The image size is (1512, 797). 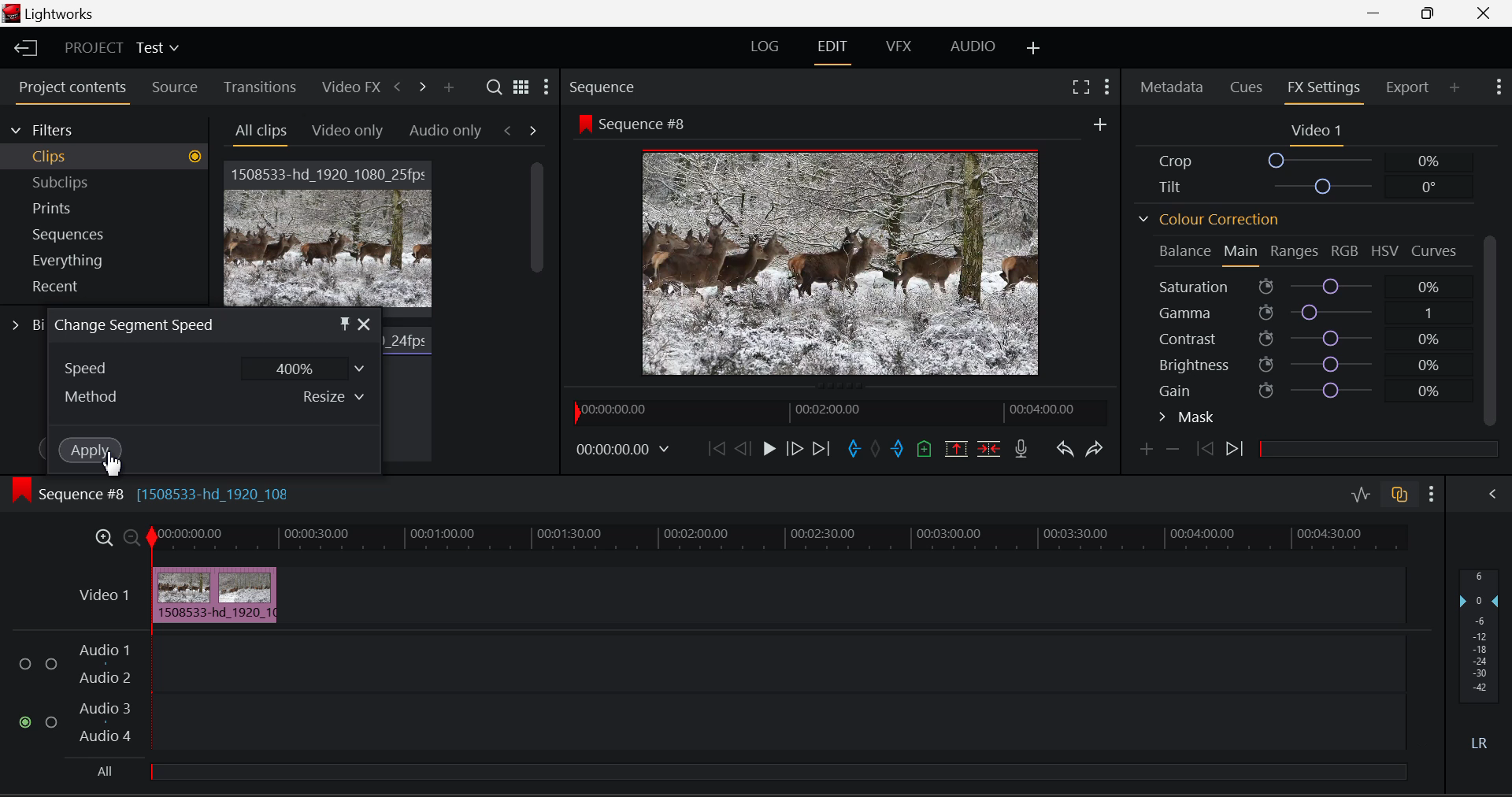 What do you see at coordinates (345, 128) in the screenshot?
I see `Video Only` at bounding box center [345, 128].